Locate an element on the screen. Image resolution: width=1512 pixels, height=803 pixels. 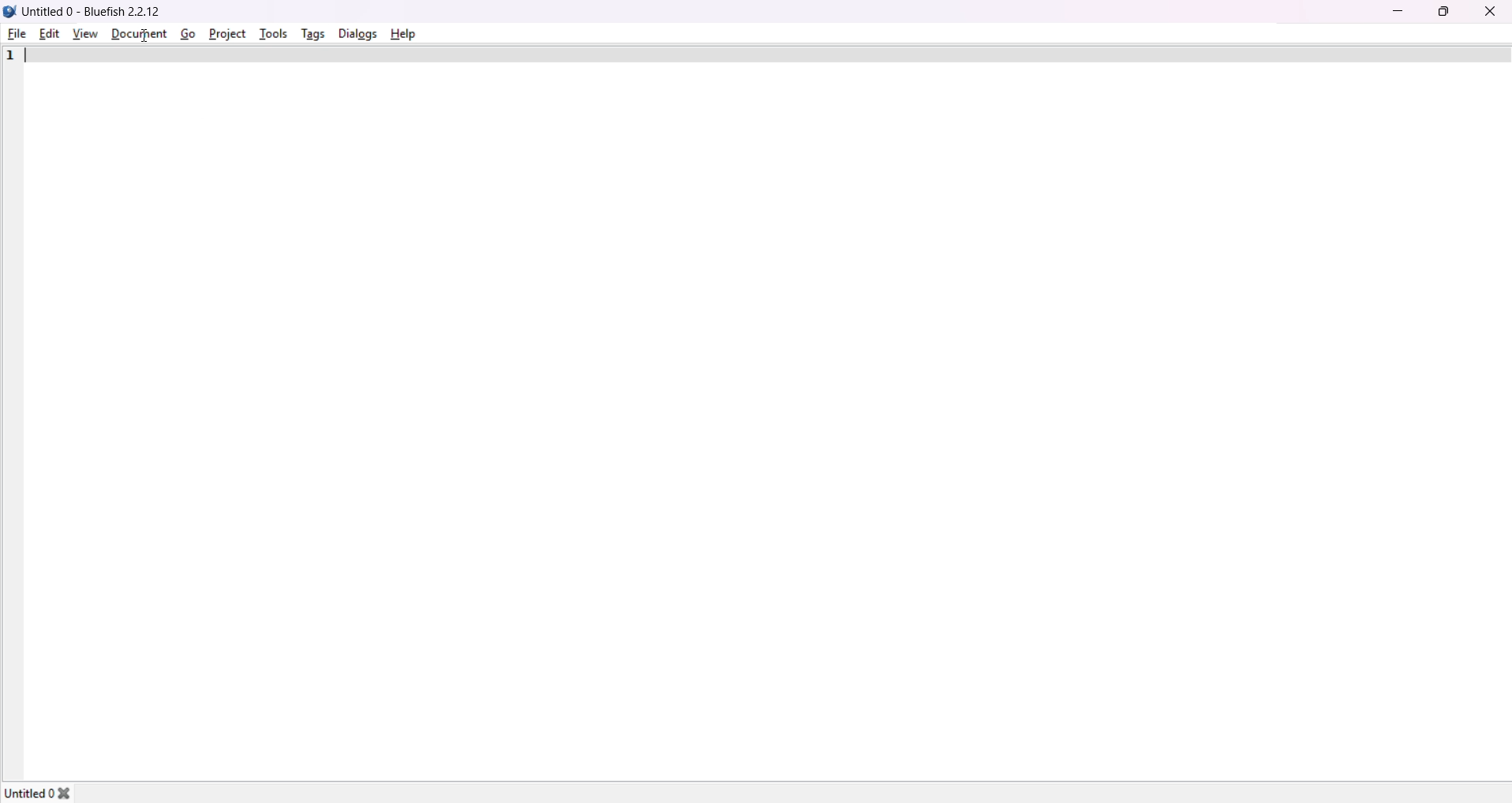
untitled 0 is located at coordinates (30, 790).